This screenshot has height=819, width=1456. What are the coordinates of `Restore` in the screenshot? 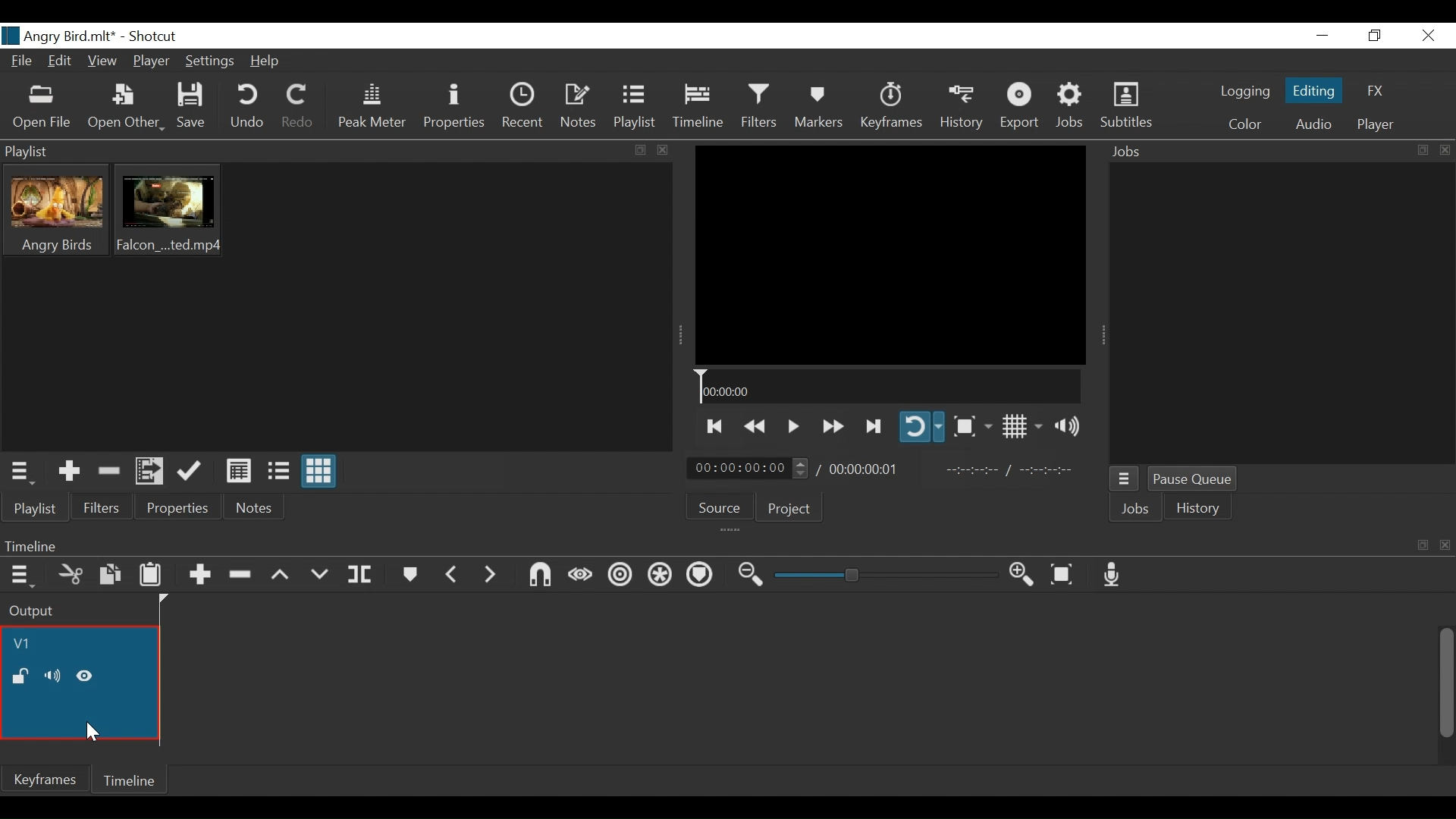 It's located at (1376, 35).